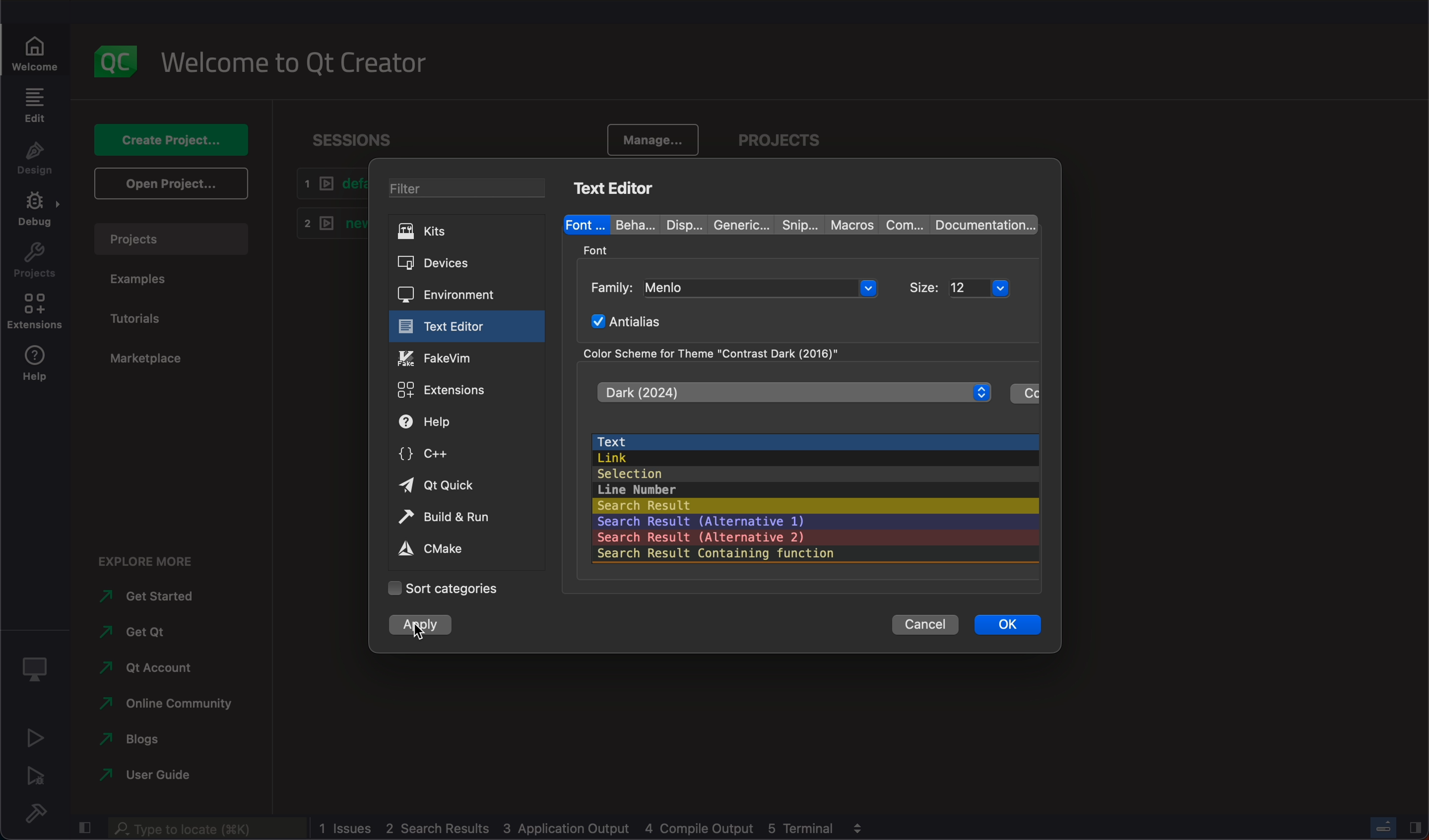 The height and width of the screenshot is (840, 1429). What do you see at coordinates (1416, 828) in the screenshot?
I see `close slidebar` at bounding box center [1416, 828].